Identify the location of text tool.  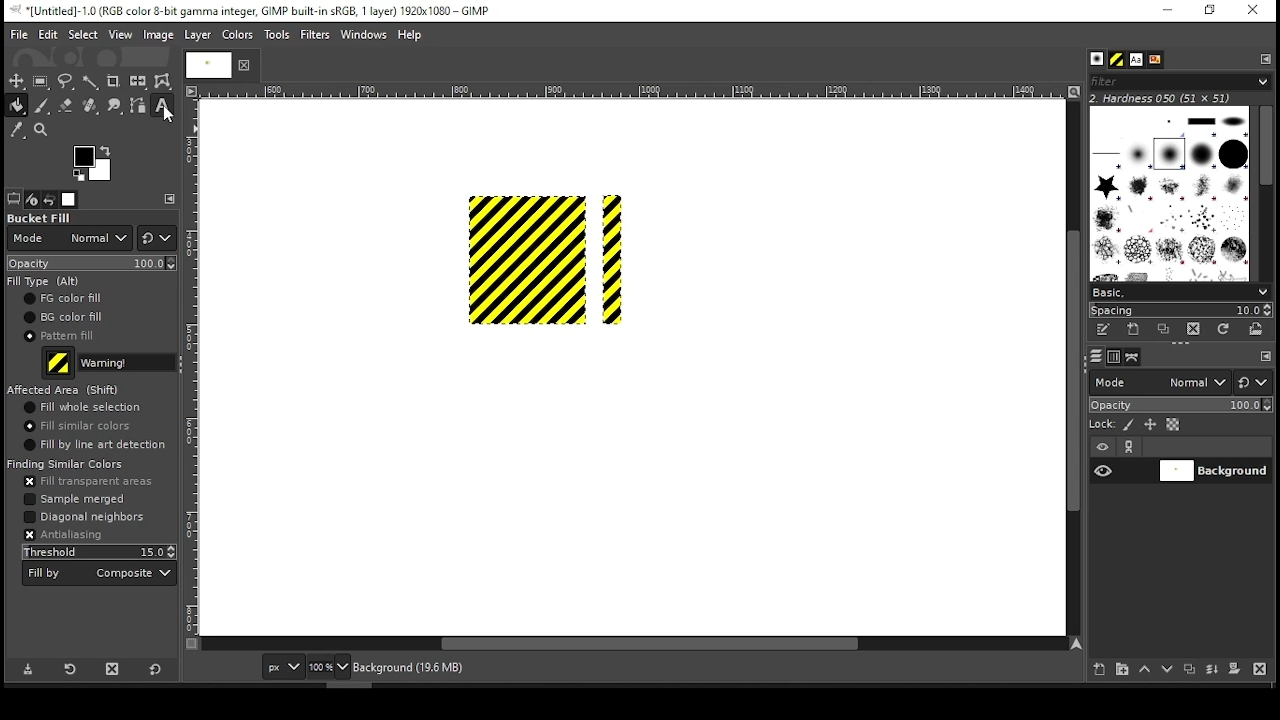
(162, 107).